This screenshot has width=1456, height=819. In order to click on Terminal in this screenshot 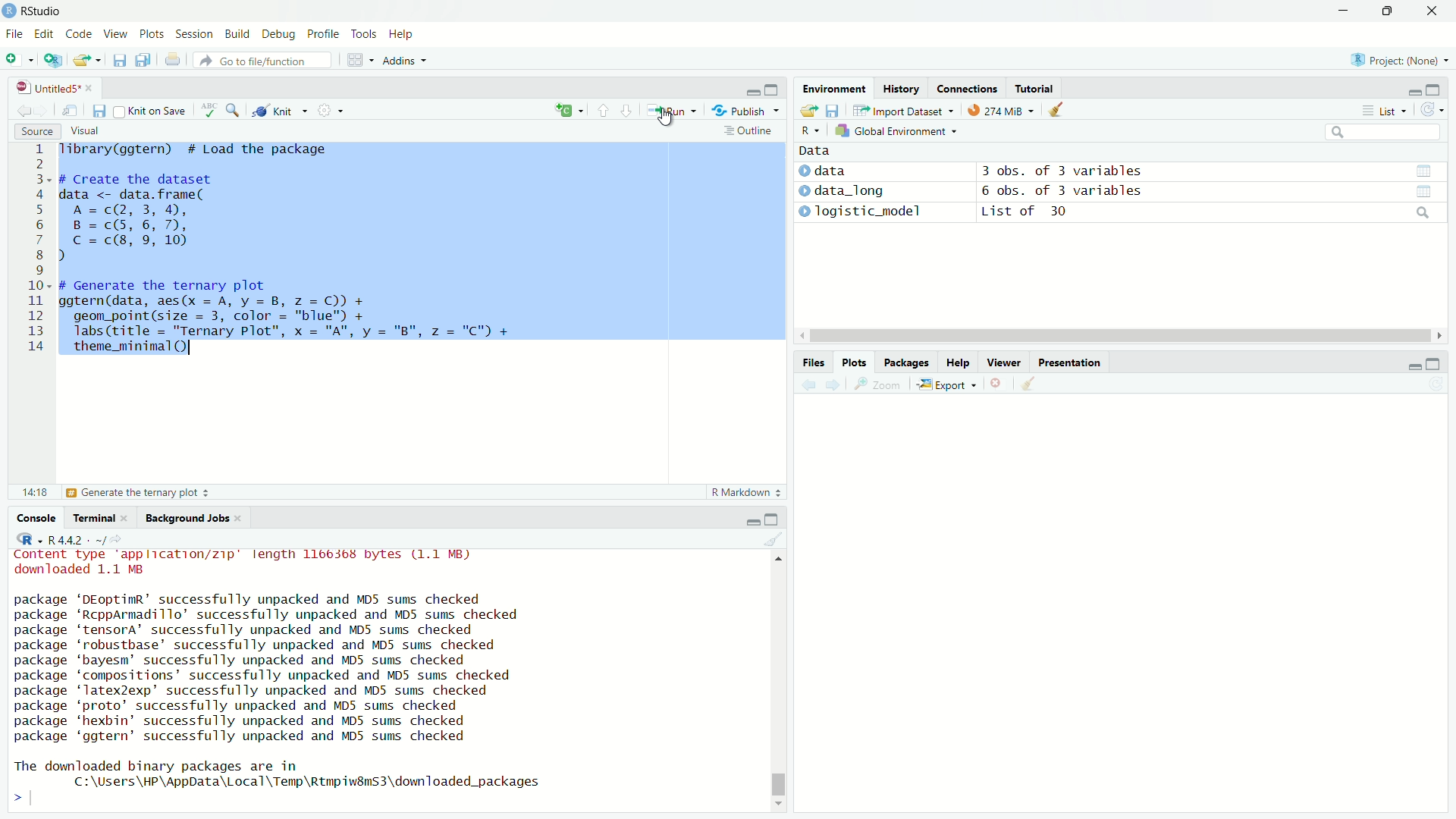, I will do `click(95, 518)`.